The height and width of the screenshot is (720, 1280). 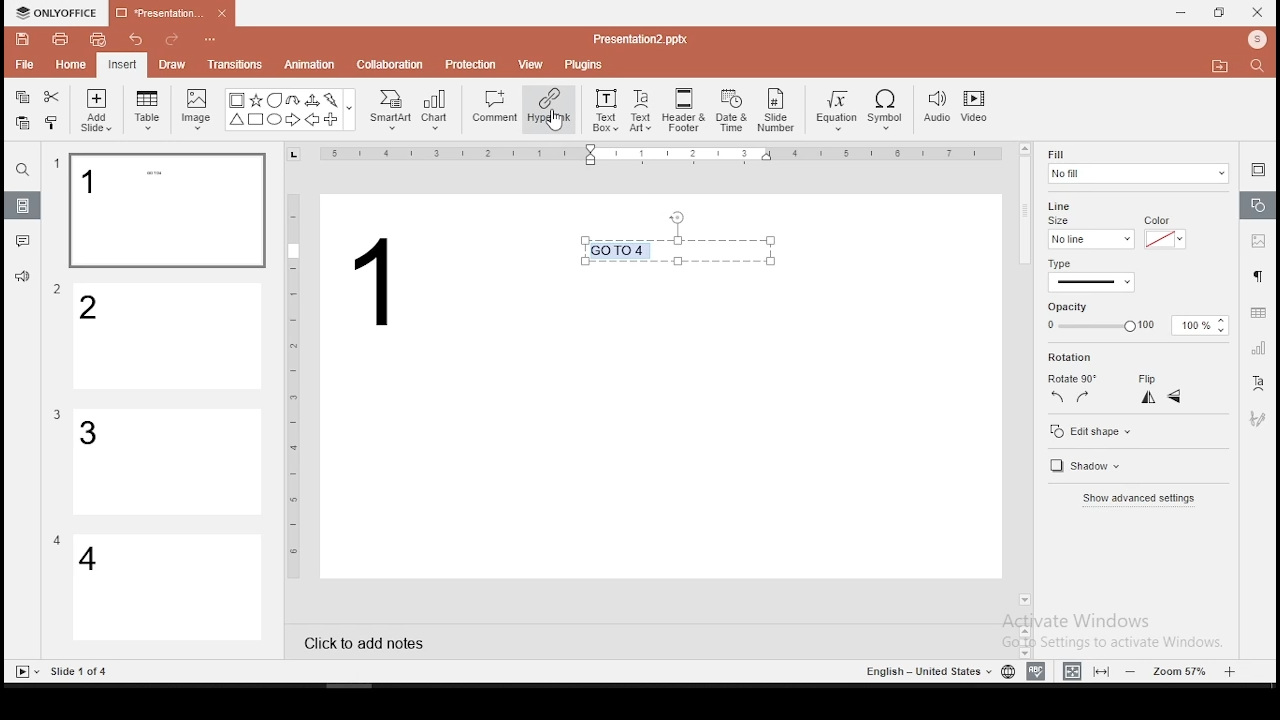 I want to click on image, so click(x=198, y=109).